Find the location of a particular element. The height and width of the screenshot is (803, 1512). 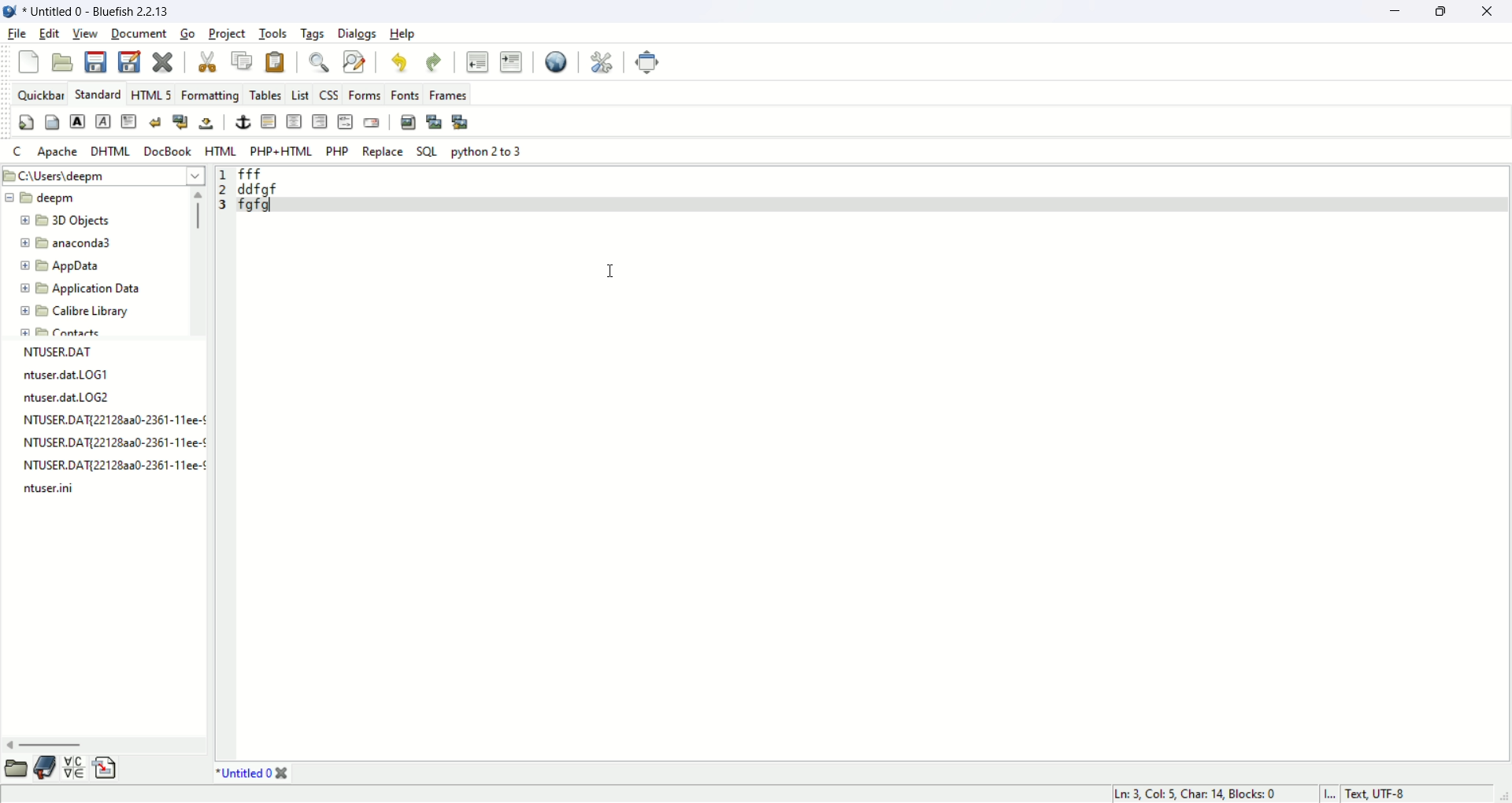

cut is located at coordinates (207, 61).